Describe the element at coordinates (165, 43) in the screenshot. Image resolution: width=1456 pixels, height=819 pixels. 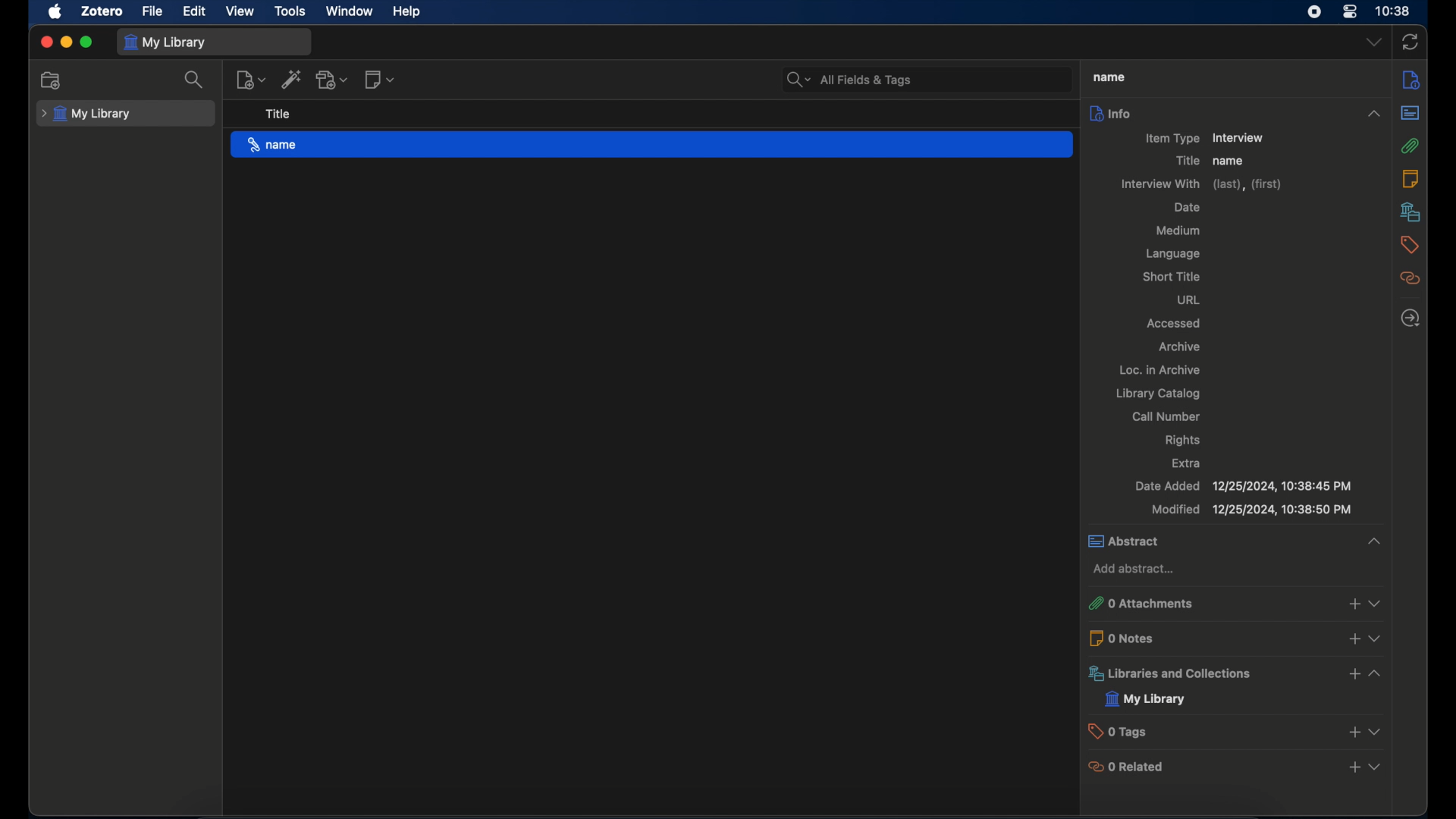
I see `my library` at that location.